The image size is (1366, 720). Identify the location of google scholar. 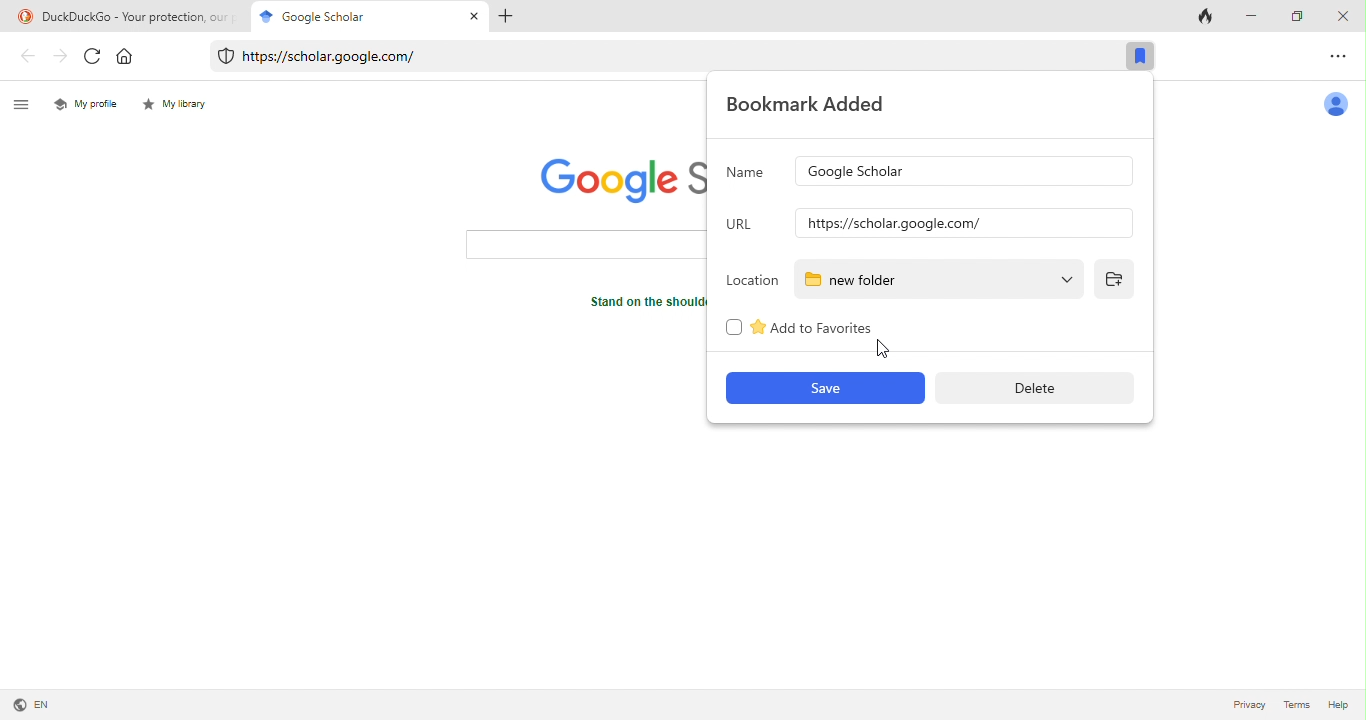
(964, 171).